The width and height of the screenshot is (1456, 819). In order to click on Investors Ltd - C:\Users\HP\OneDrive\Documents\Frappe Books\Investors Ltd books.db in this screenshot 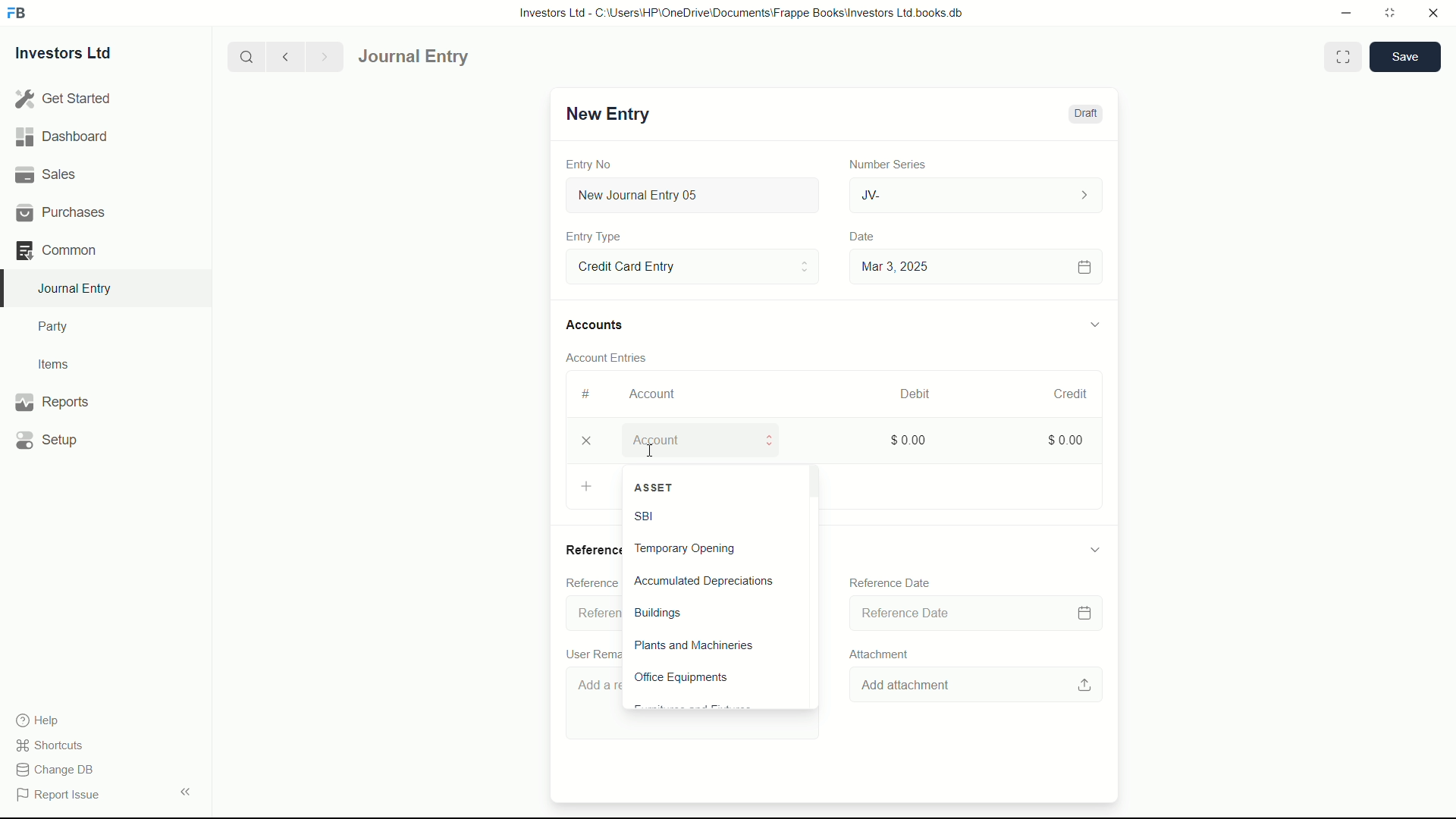, I will do `click(743, 12)`.